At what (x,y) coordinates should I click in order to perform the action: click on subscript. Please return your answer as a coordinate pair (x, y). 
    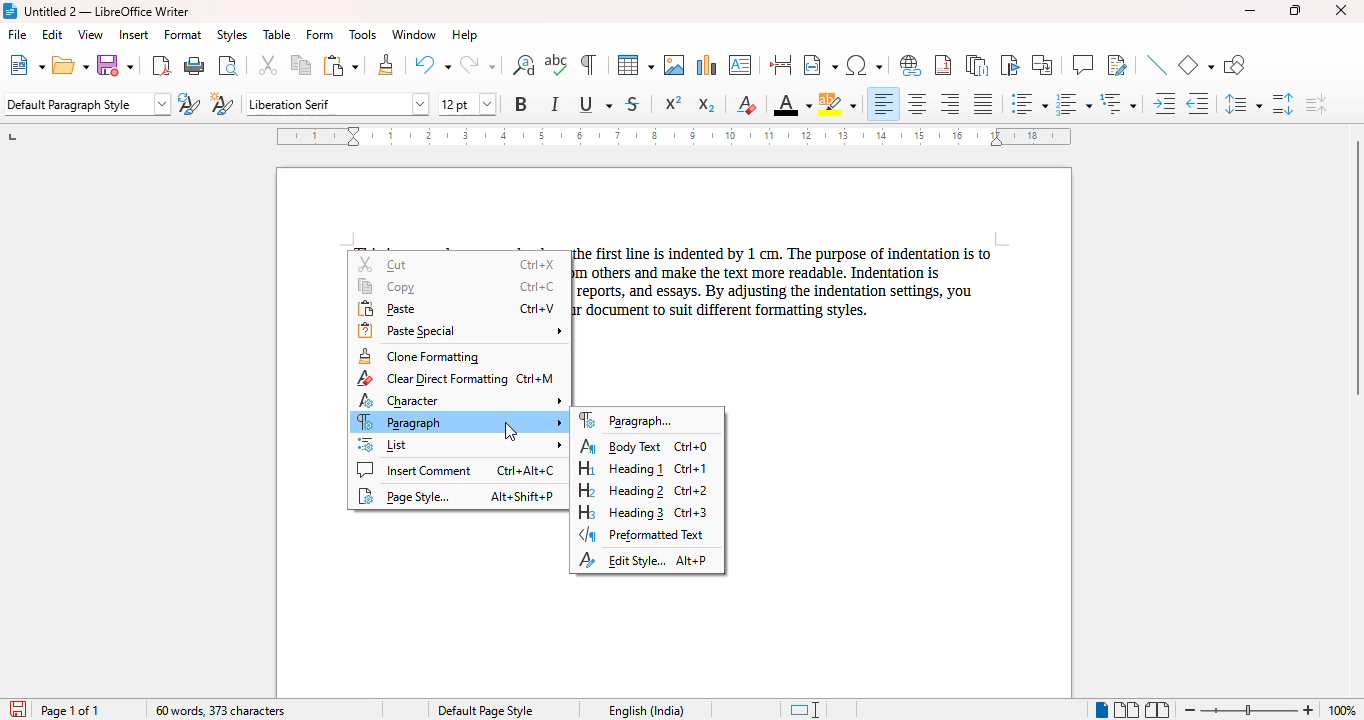
    Looking at the image, I should click on (707, 105).